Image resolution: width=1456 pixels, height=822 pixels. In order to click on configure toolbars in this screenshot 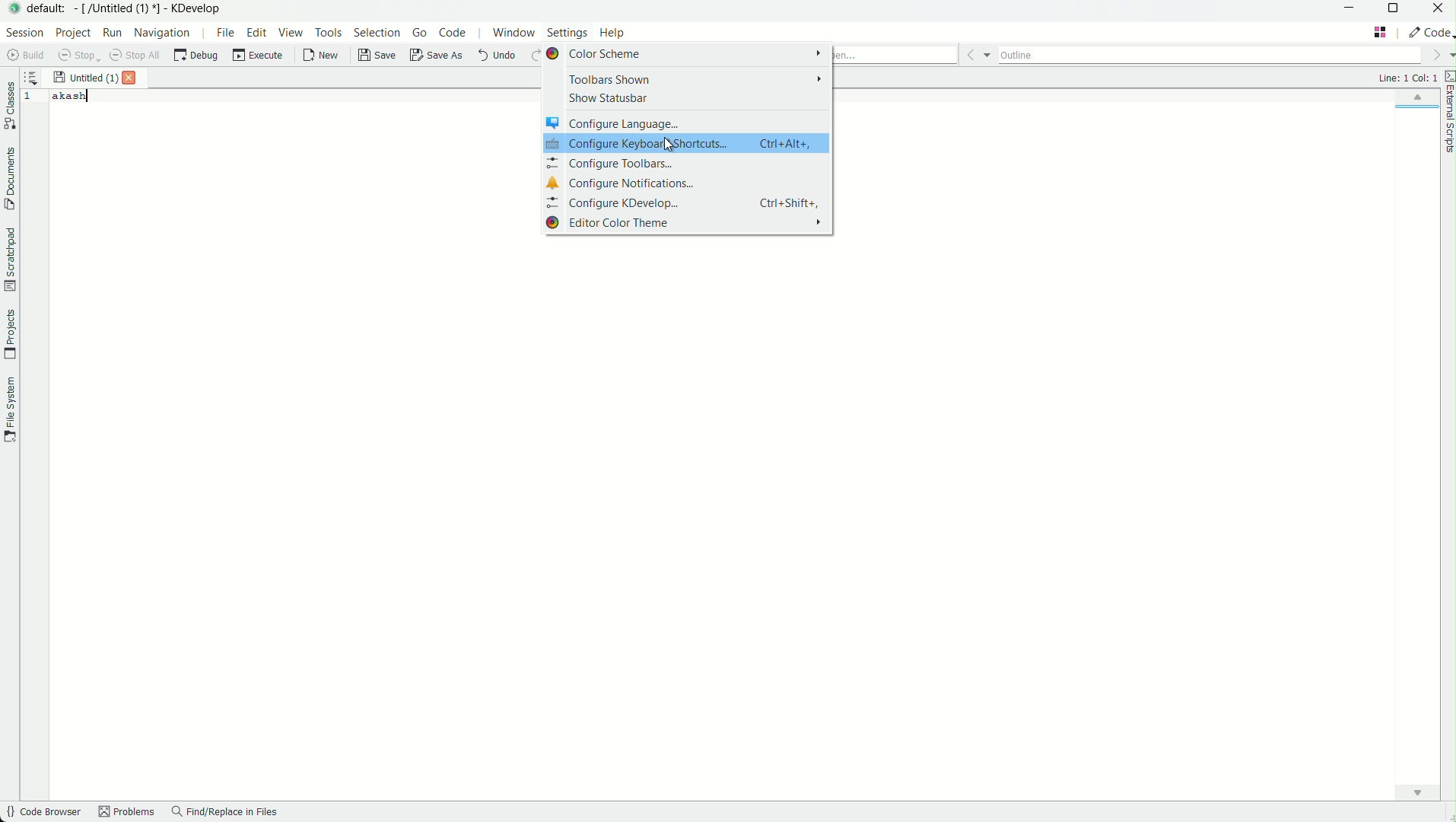, I will do `click(688, 164)`.